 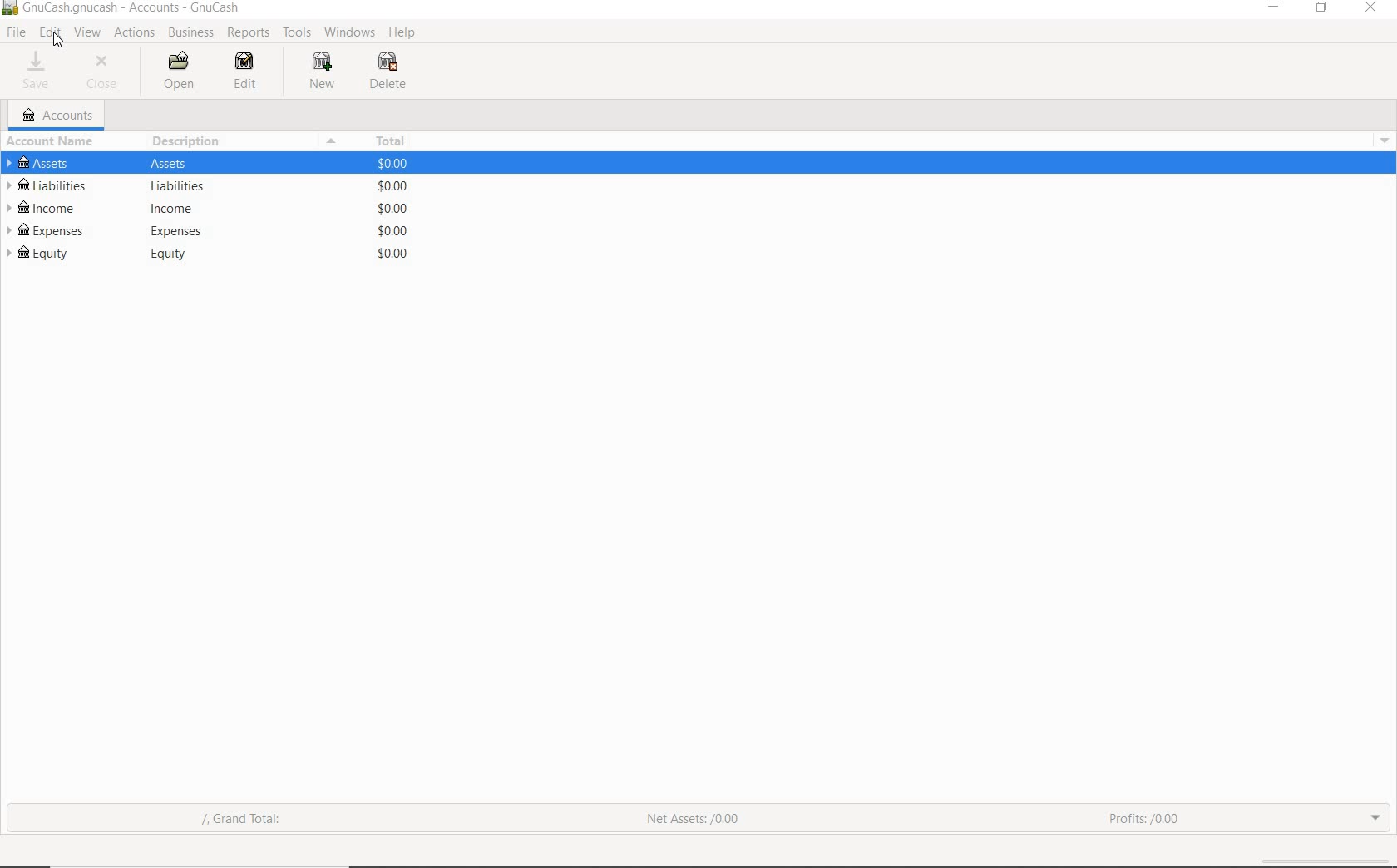 What do you see at coordinates (1373, 9) in the screenshot?
I see `close` at bounding box center [1373, 9].